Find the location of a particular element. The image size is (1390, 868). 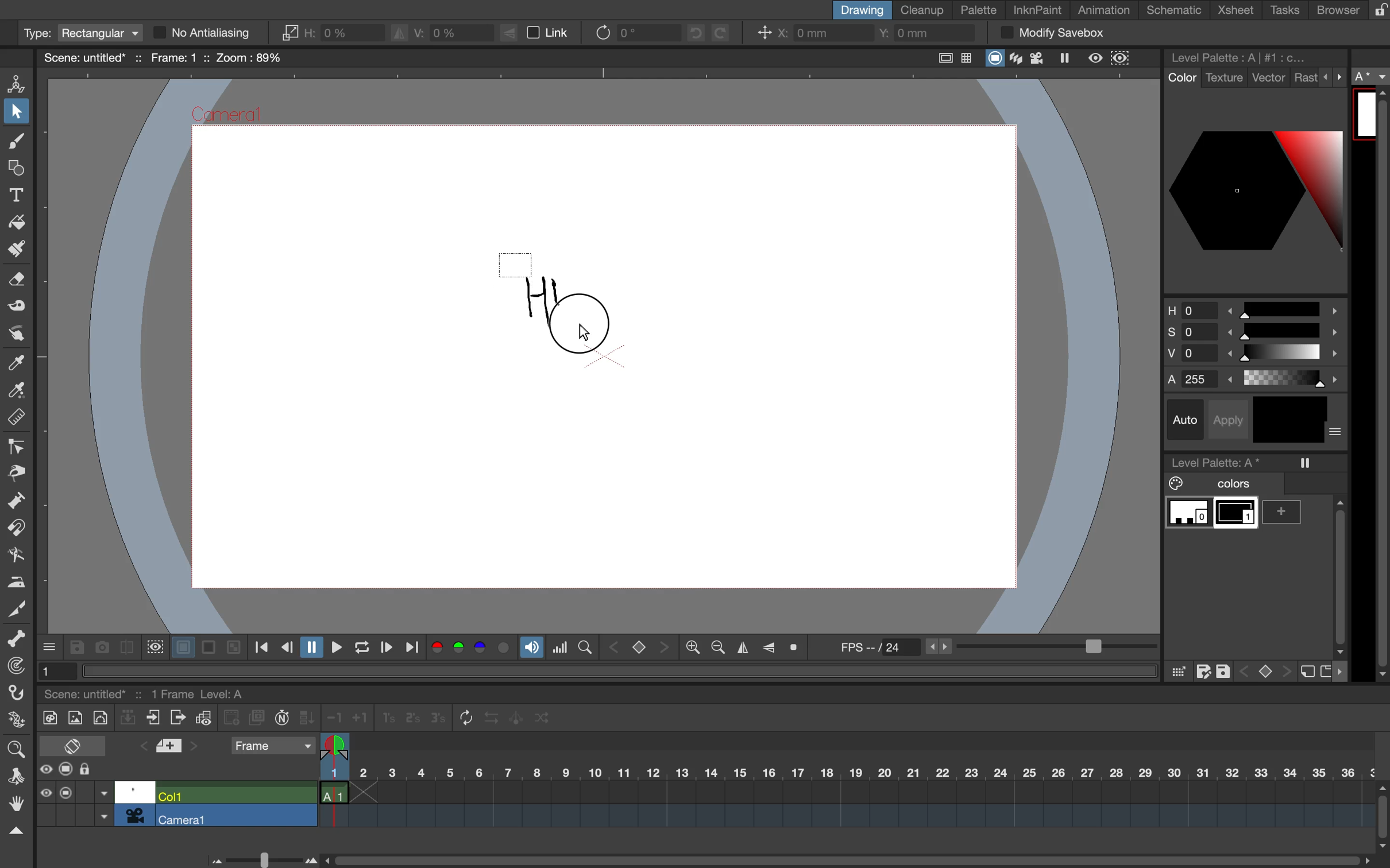

eraser tool is located at coordinates (18, 283).